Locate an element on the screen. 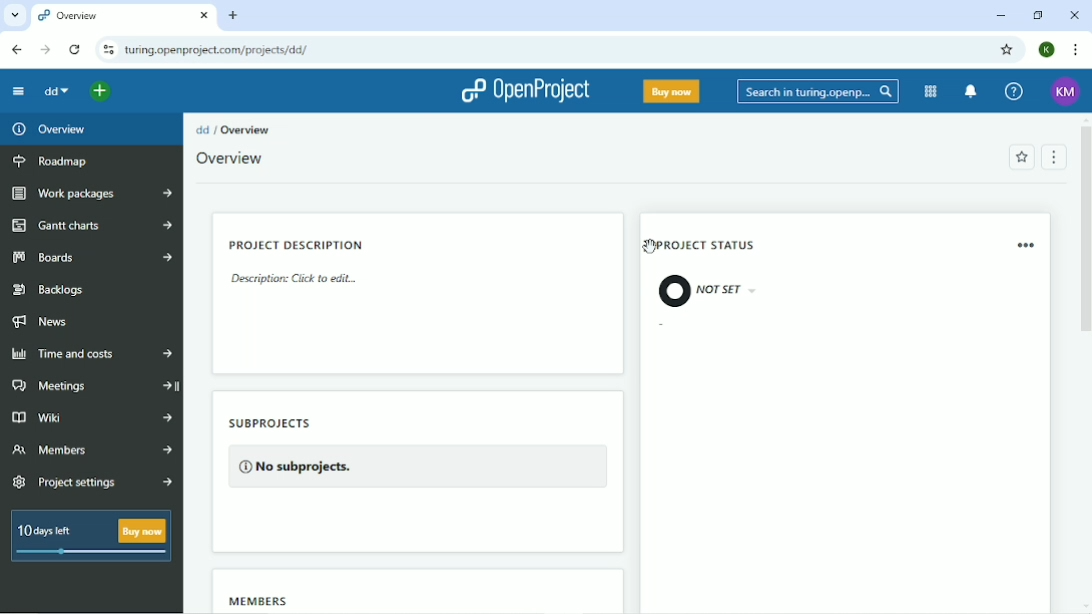  Current tab is located at coordinates (123, 15).